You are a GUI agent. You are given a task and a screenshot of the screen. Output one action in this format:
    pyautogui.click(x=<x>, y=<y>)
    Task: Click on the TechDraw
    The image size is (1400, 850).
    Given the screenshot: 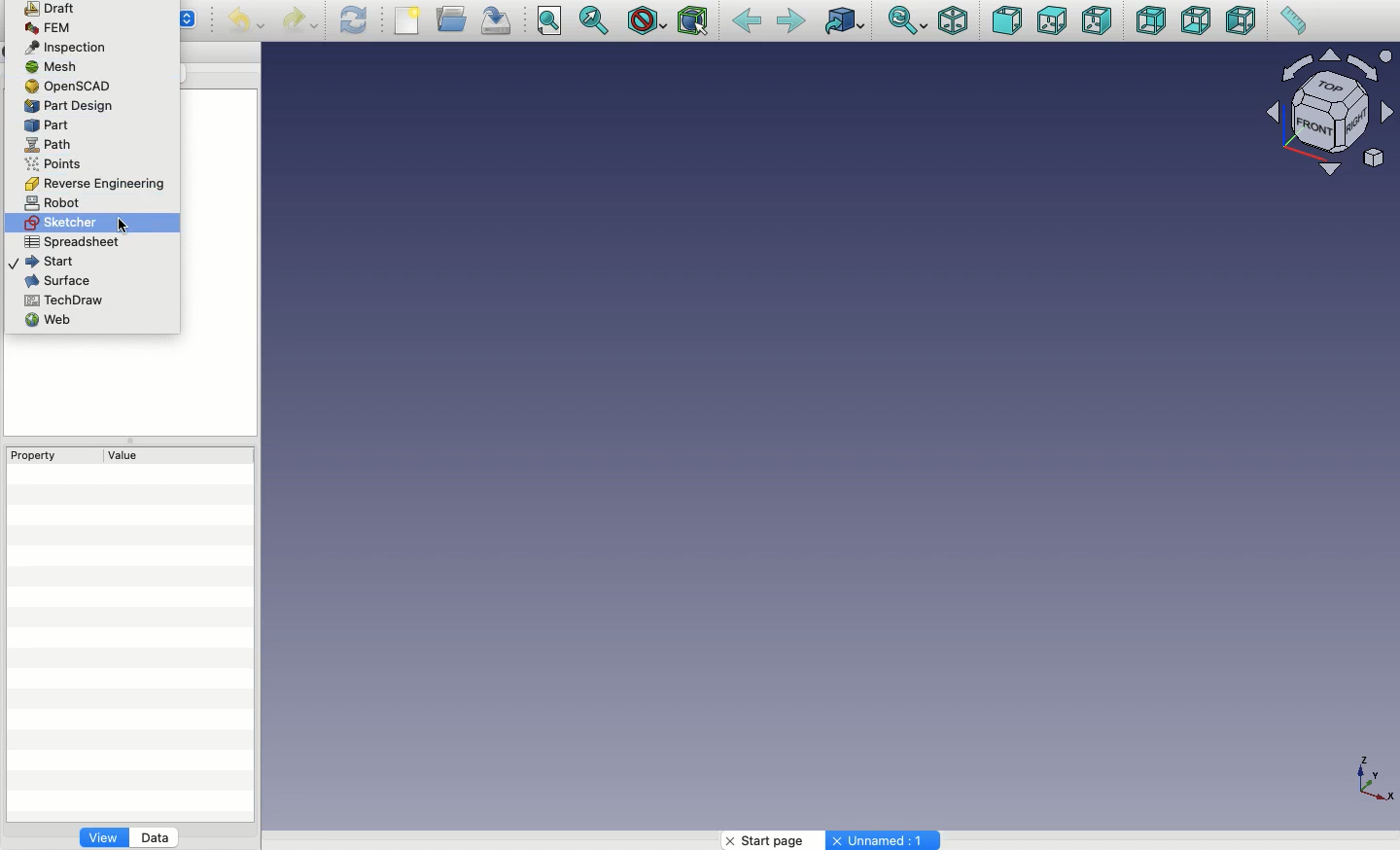 What is the action you would take?
    pyautogui.click(x=65, y=299)
    